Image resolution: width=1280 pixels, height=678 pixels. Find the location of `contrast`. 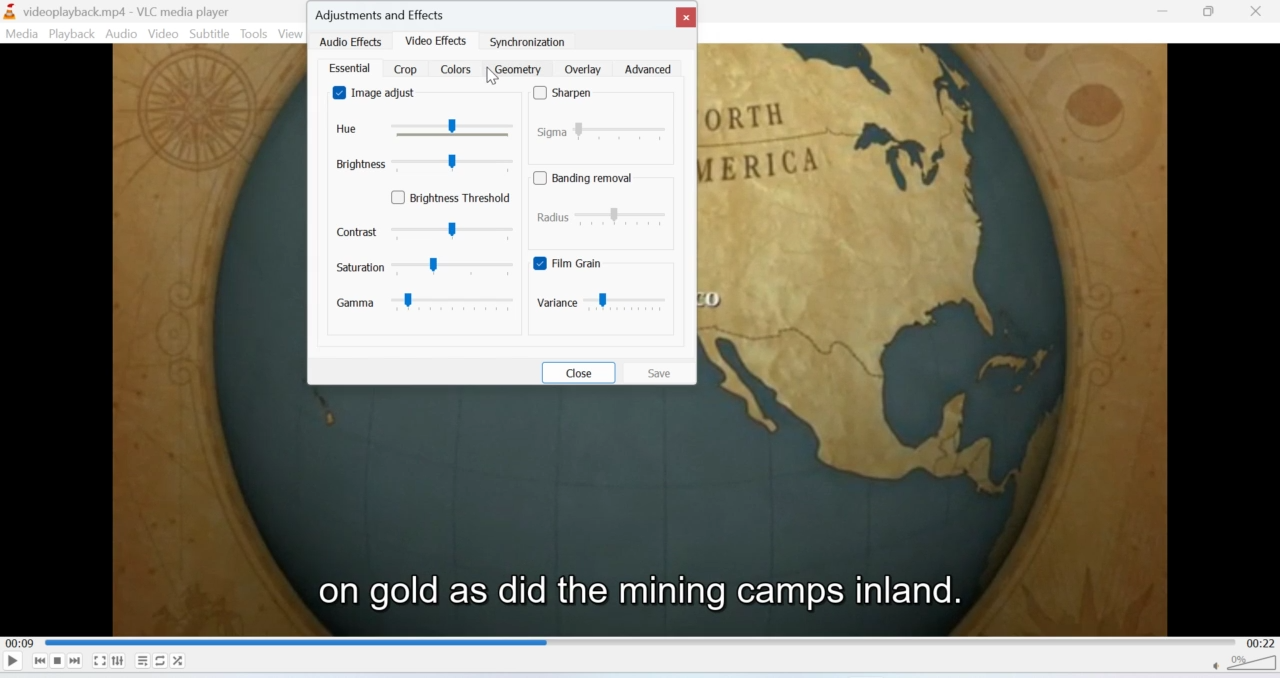

contrast is located at coordinates (425, 231).